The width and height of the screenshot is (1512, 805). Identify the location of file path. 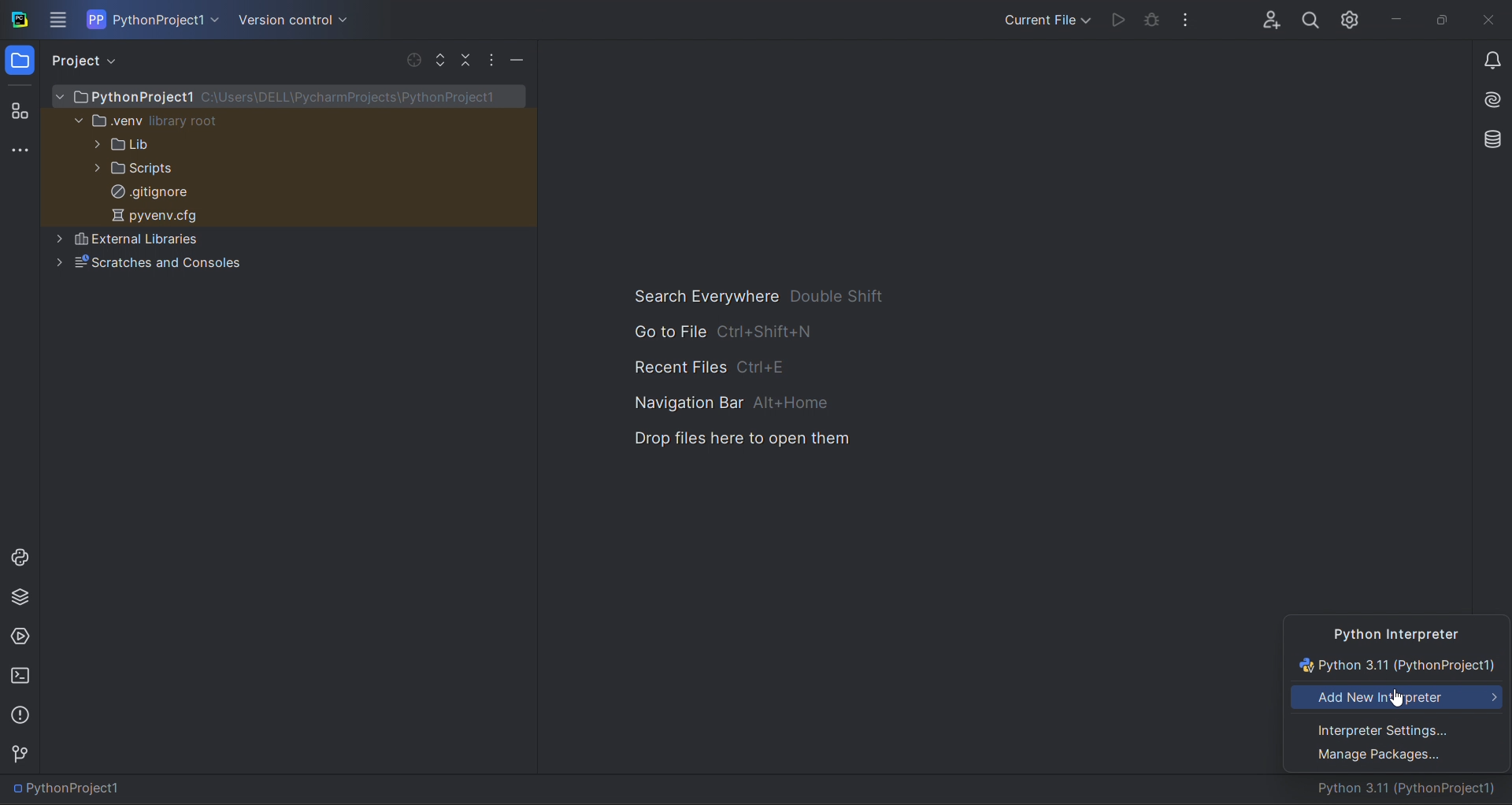
(72, 789).